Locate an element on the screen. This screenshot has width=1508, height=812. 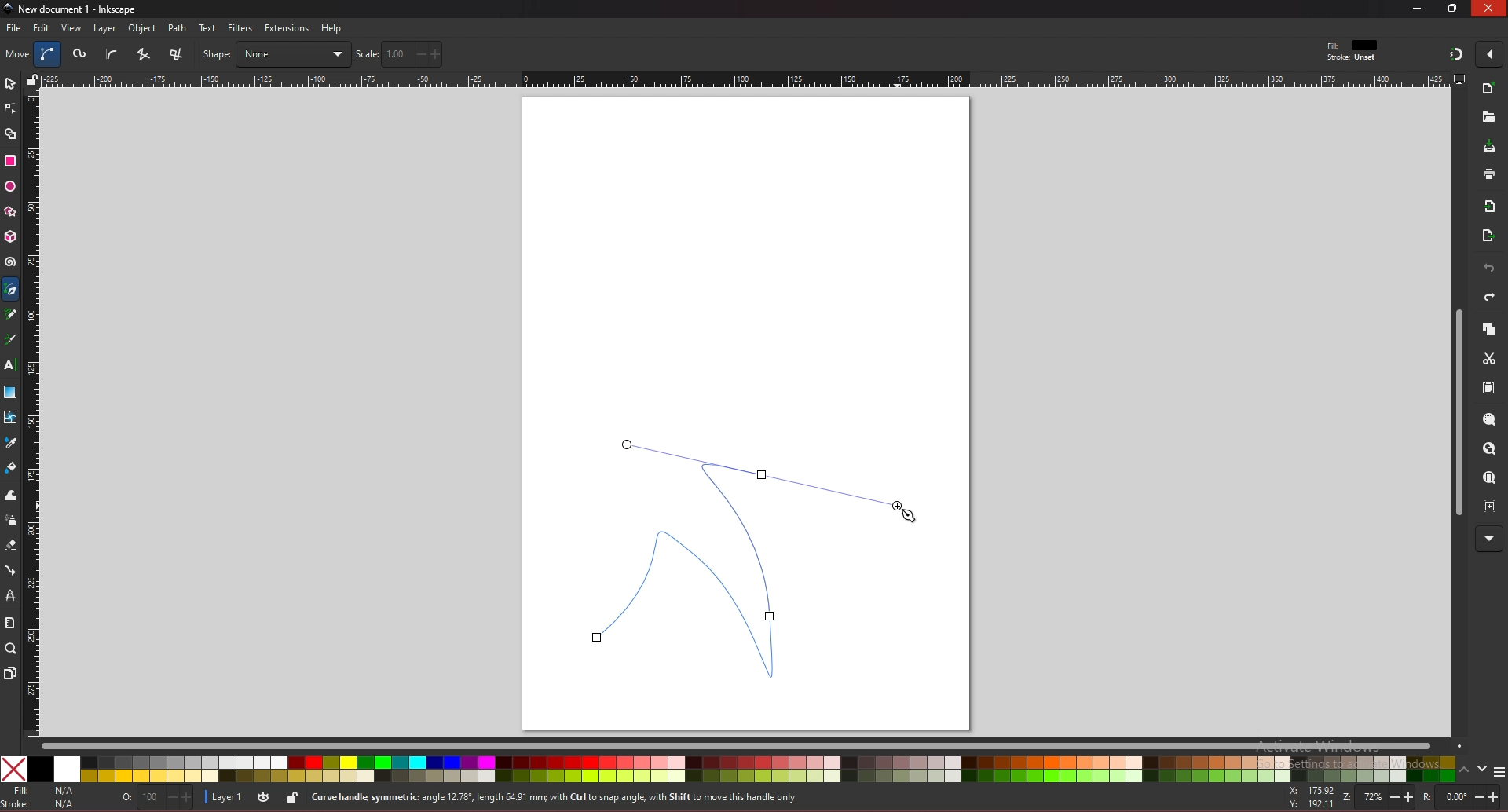
object is located at coordinates (145, 29).